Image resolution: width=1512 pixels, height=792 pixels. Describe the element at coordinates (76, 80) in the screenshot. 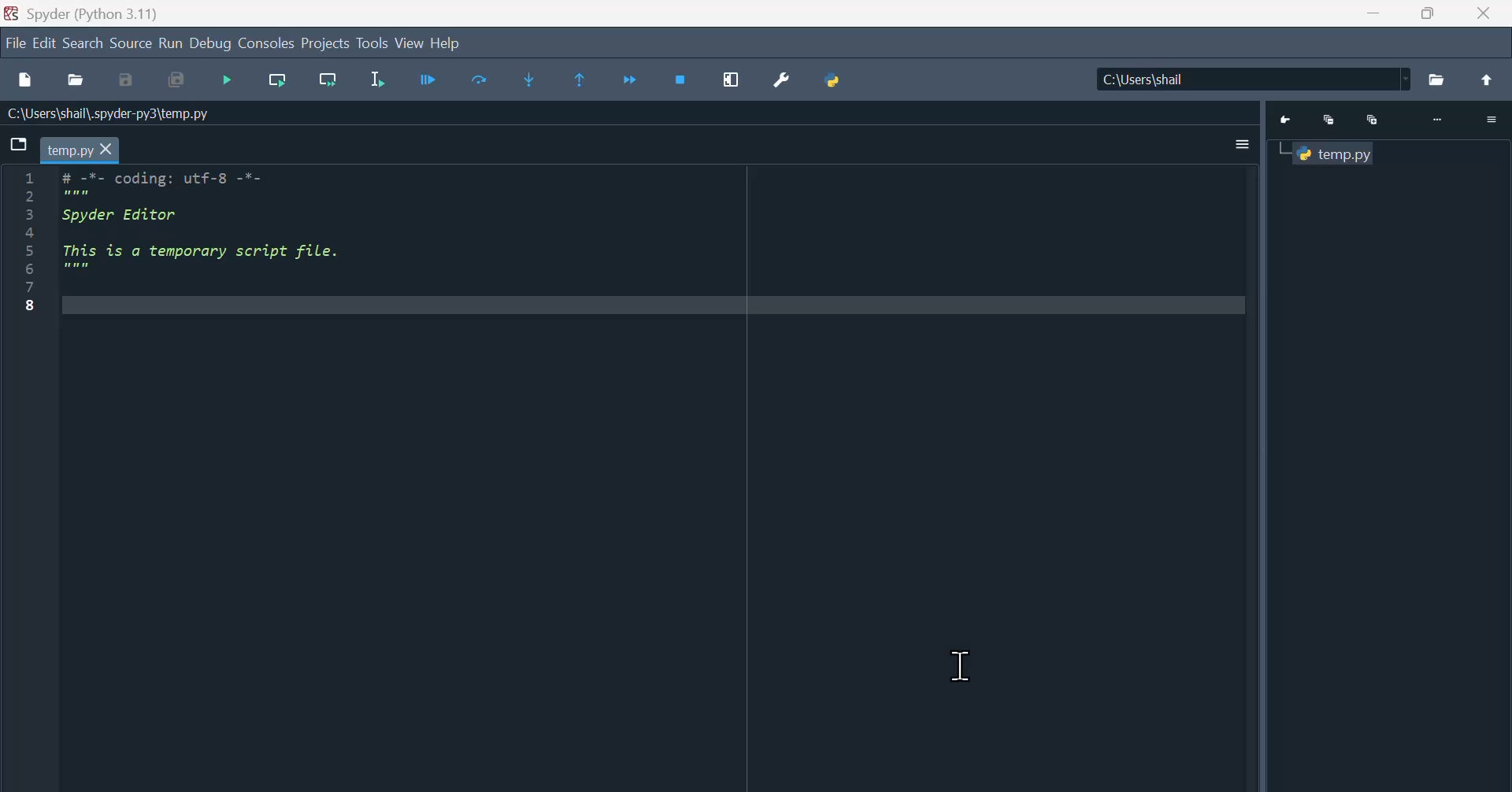

I see `Open file` at that location.